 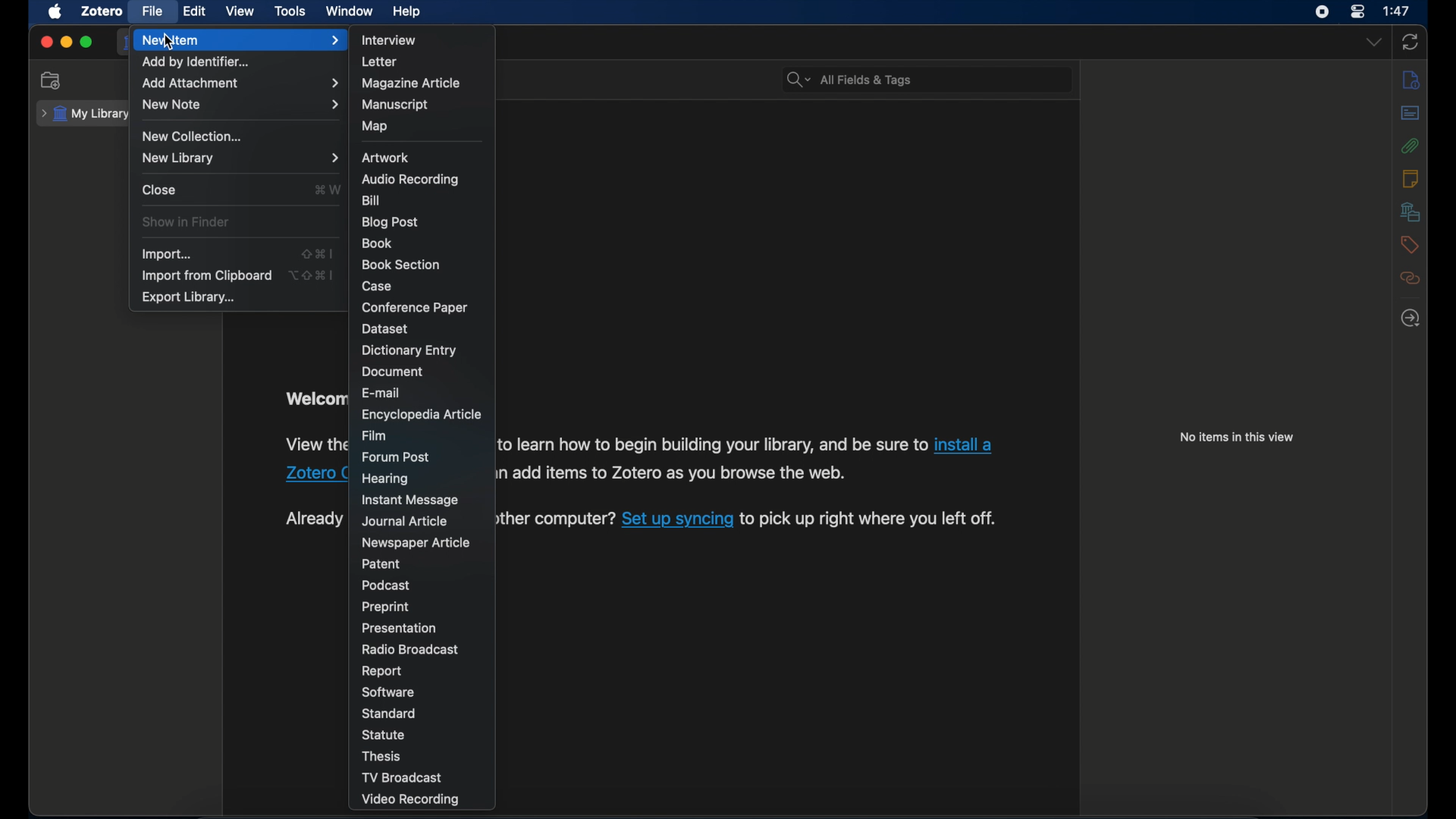 I want to click on add items to Zotero as you browse the web., so click(x=671, y=473).